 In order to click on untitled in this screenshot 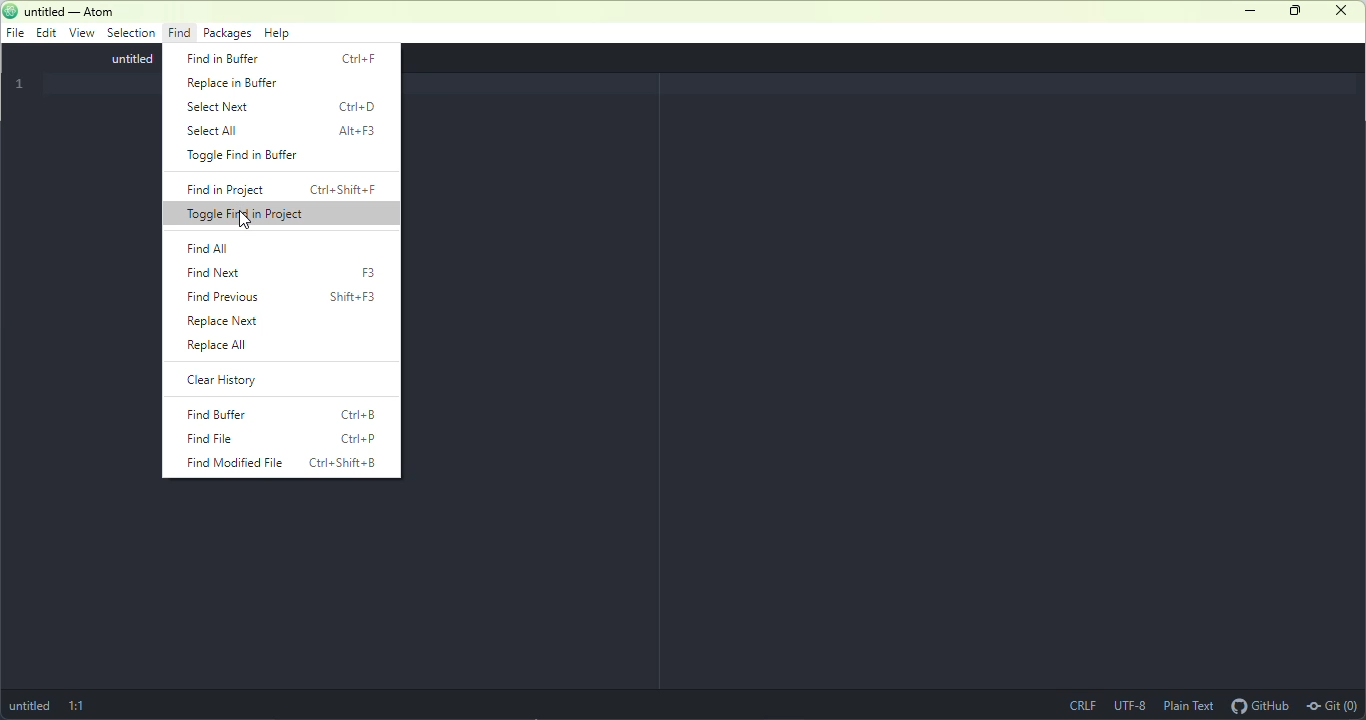, I will do `click(119, 60)`.